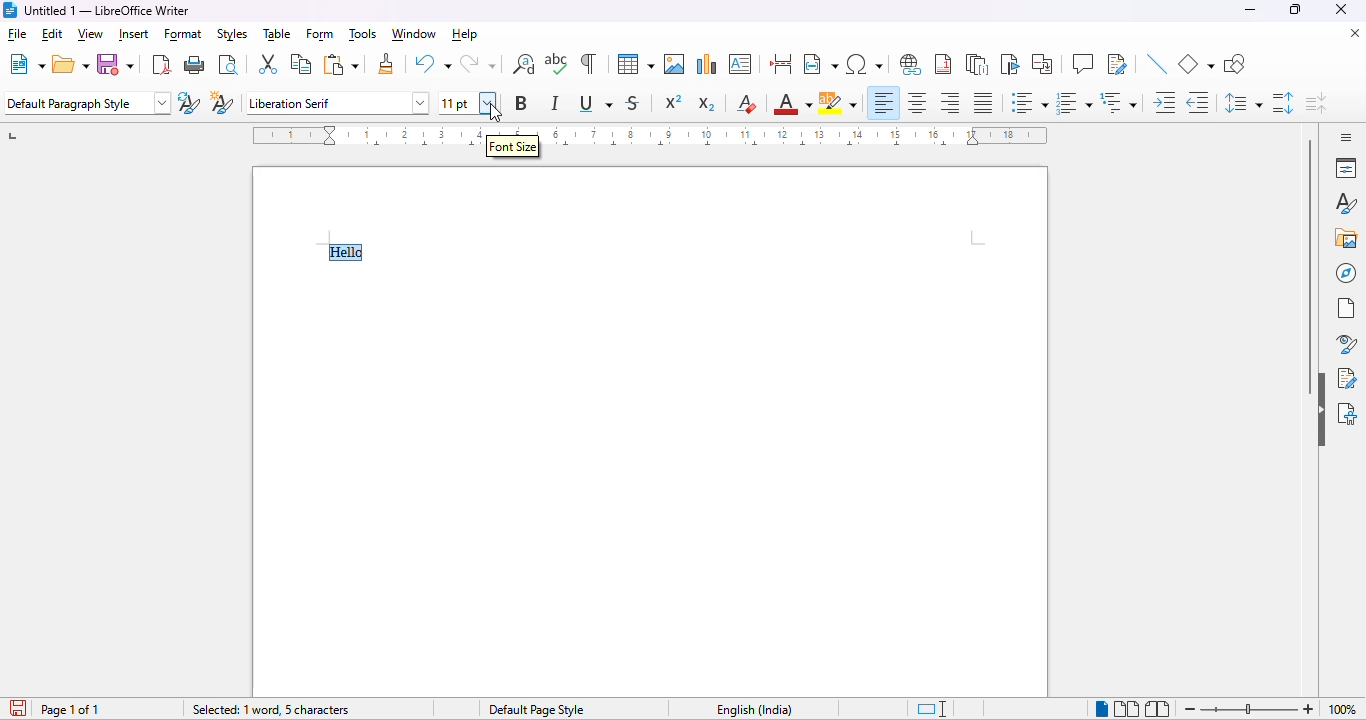 The height and width of the screenshot is (720, 1366). Describe the element at coordinates (353, 135) in the screenshot. I see `ruler` at that location.